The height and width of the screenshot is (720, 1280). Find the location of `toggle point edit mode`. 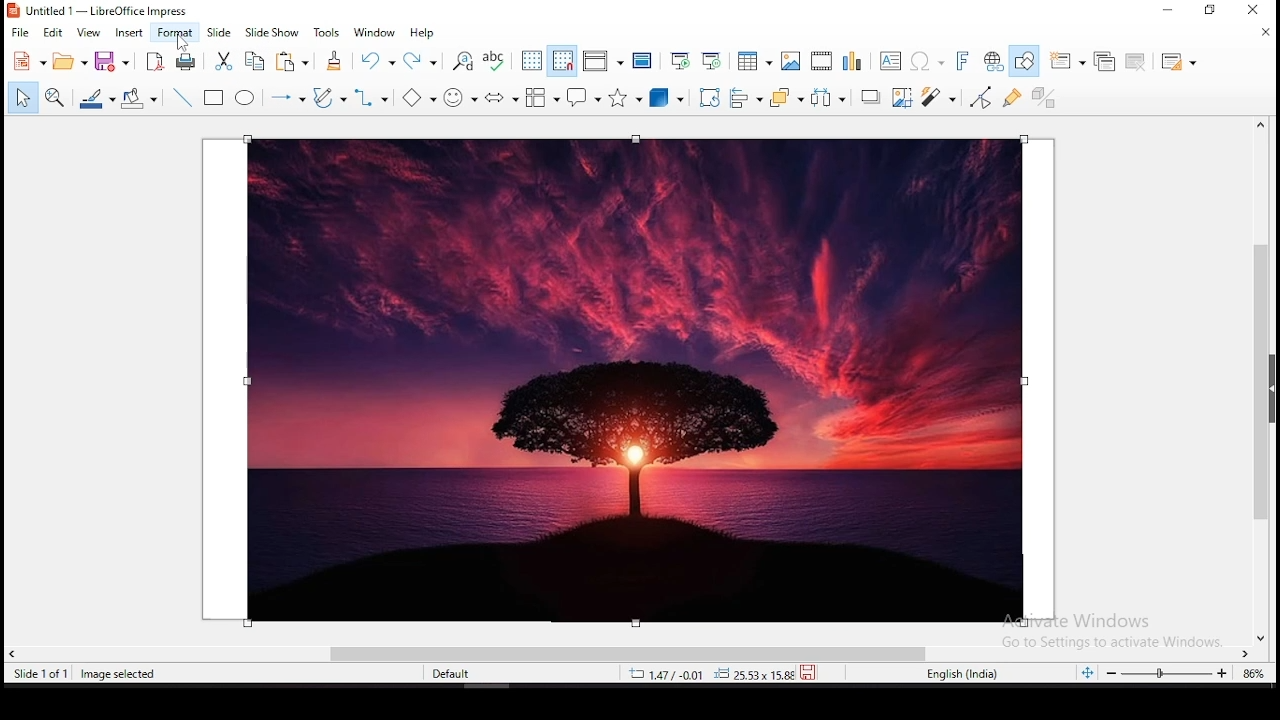

toggle point edit mode is located at coordinates (980, 97).